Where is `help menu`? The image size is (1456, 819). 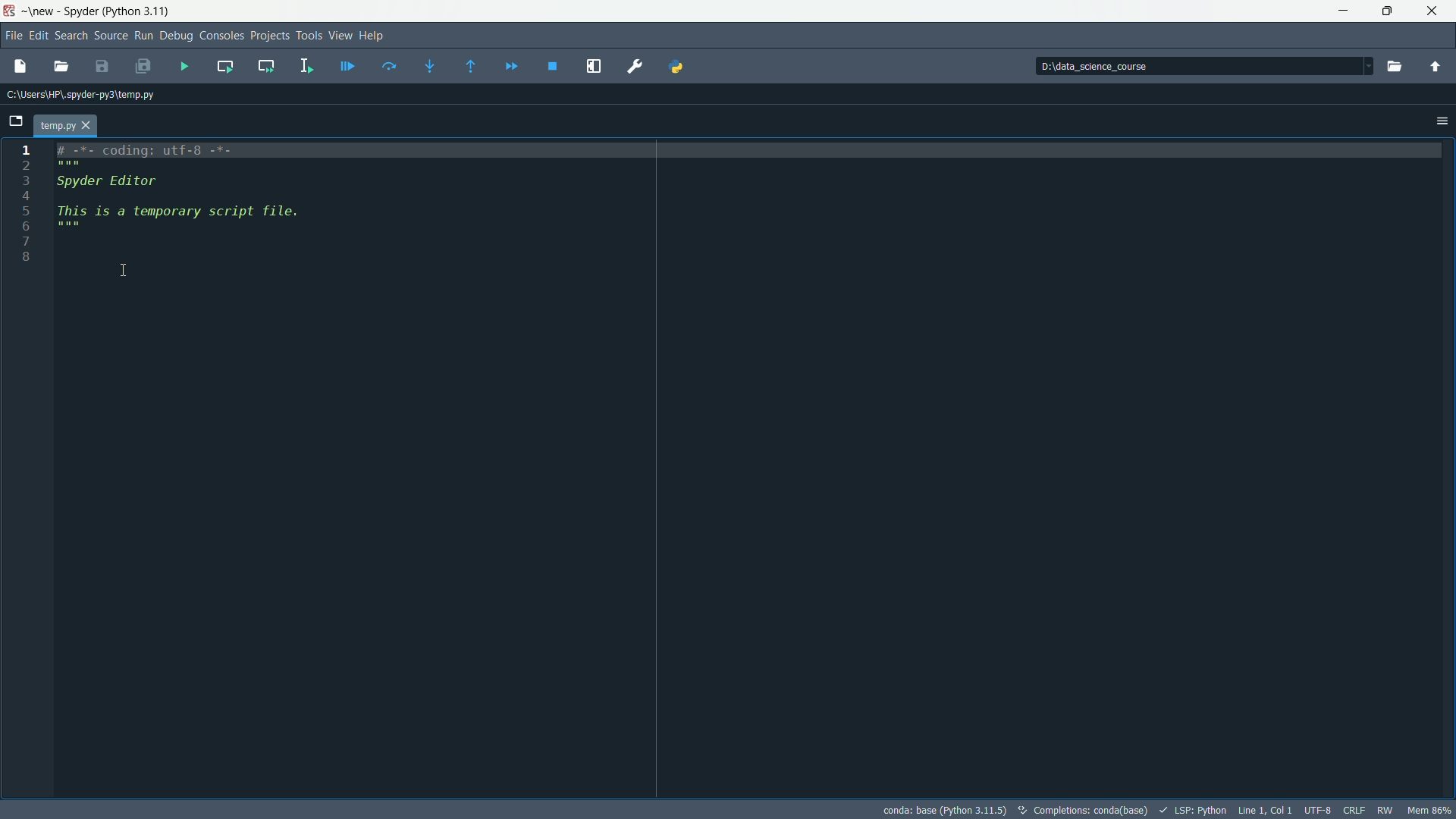 help menu is located at coordinates (375, 36).